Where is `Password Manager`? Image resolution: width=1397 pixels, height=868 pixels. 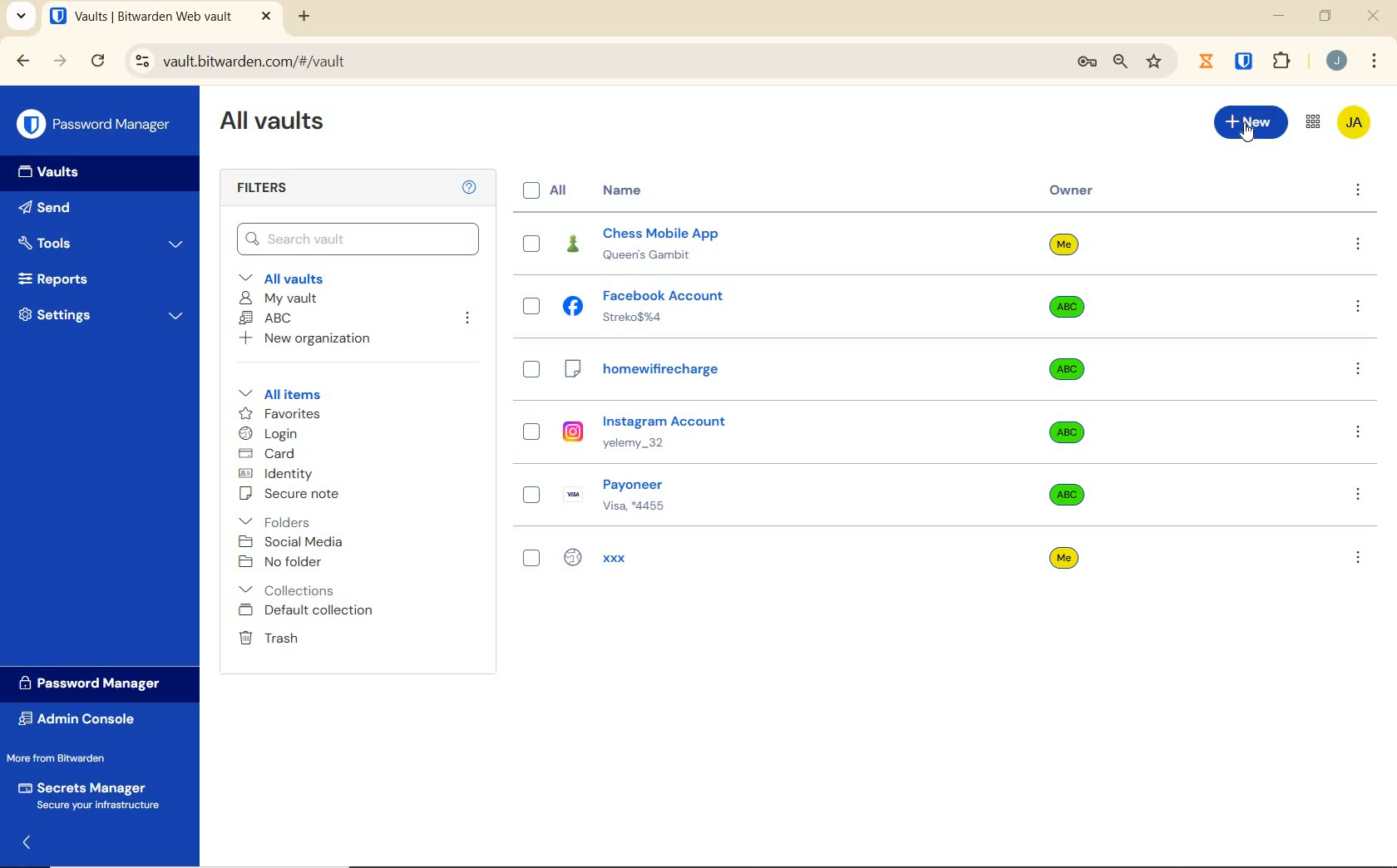 Password Manager is located at coordinates (96, 125).